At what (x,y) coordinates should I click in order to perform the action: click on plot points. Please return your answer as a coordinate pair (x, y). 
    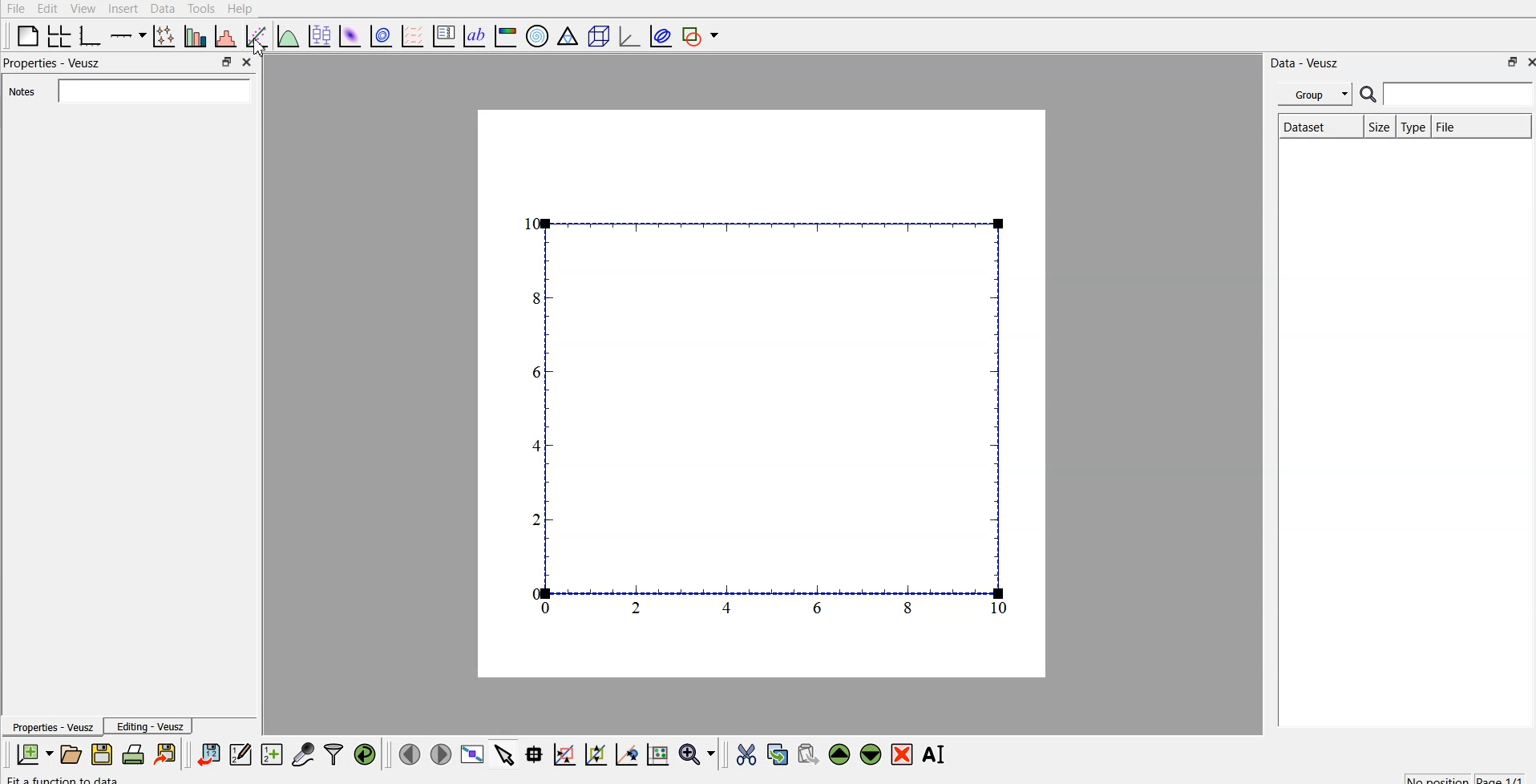
    Looking at the image, I should click on (164, 36).